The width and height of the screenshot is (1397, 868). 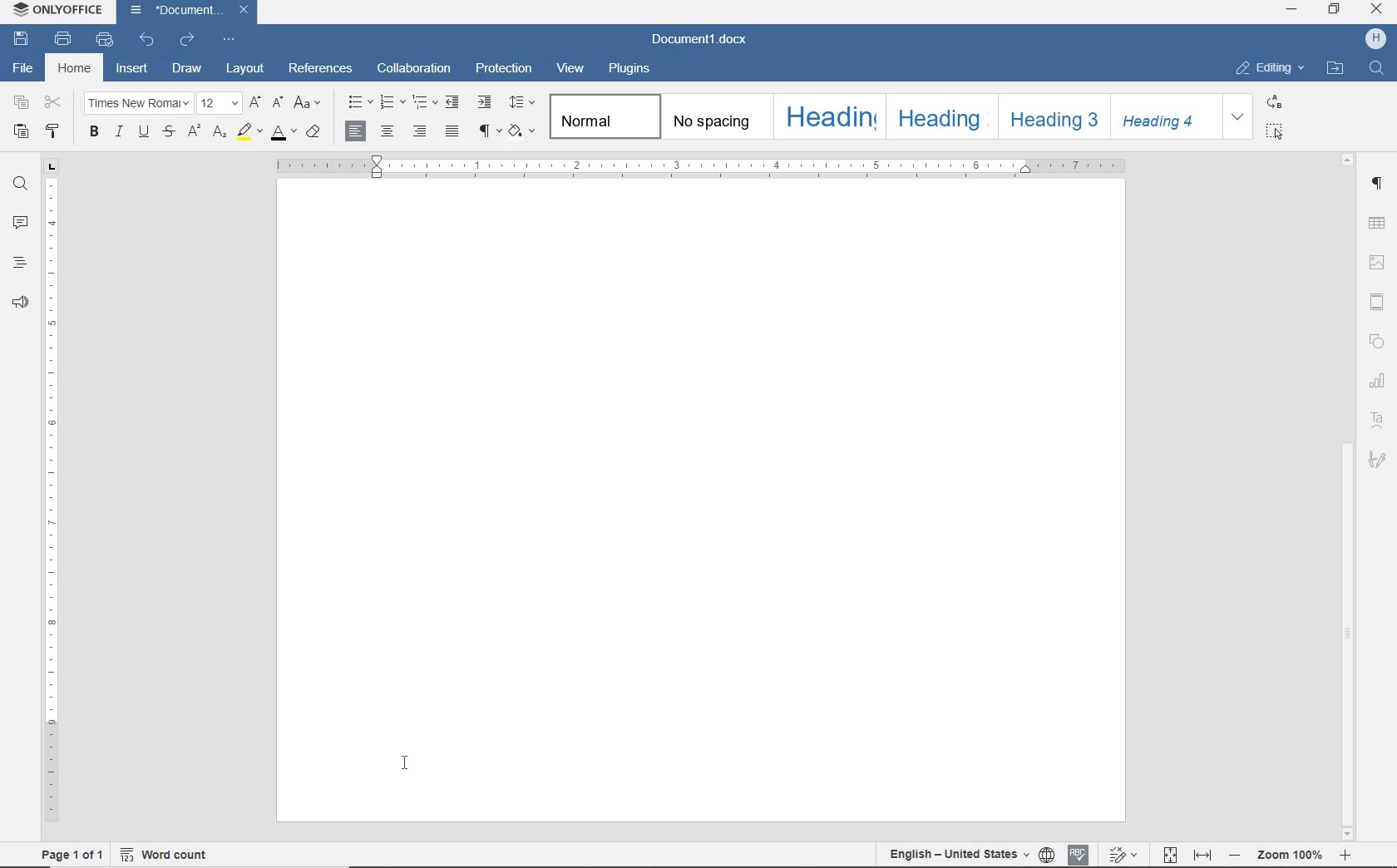 I want to click on increment font size, so click(x=255, y=102).